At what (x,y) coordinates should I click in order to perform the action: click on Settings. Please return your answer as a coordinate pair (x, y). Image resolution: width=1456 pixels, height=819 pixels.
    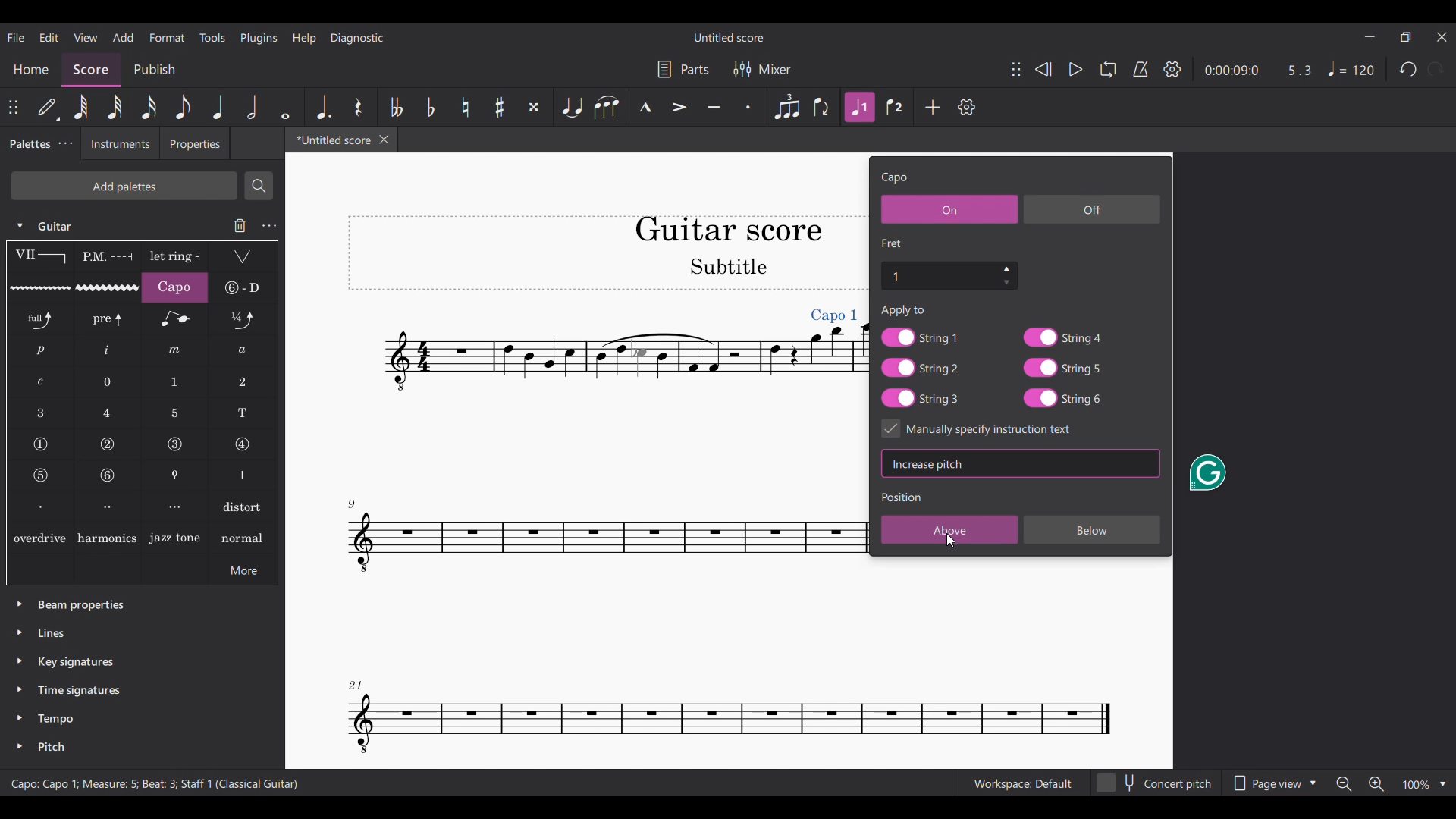
    Looking at the image, I should click on (967, 107).